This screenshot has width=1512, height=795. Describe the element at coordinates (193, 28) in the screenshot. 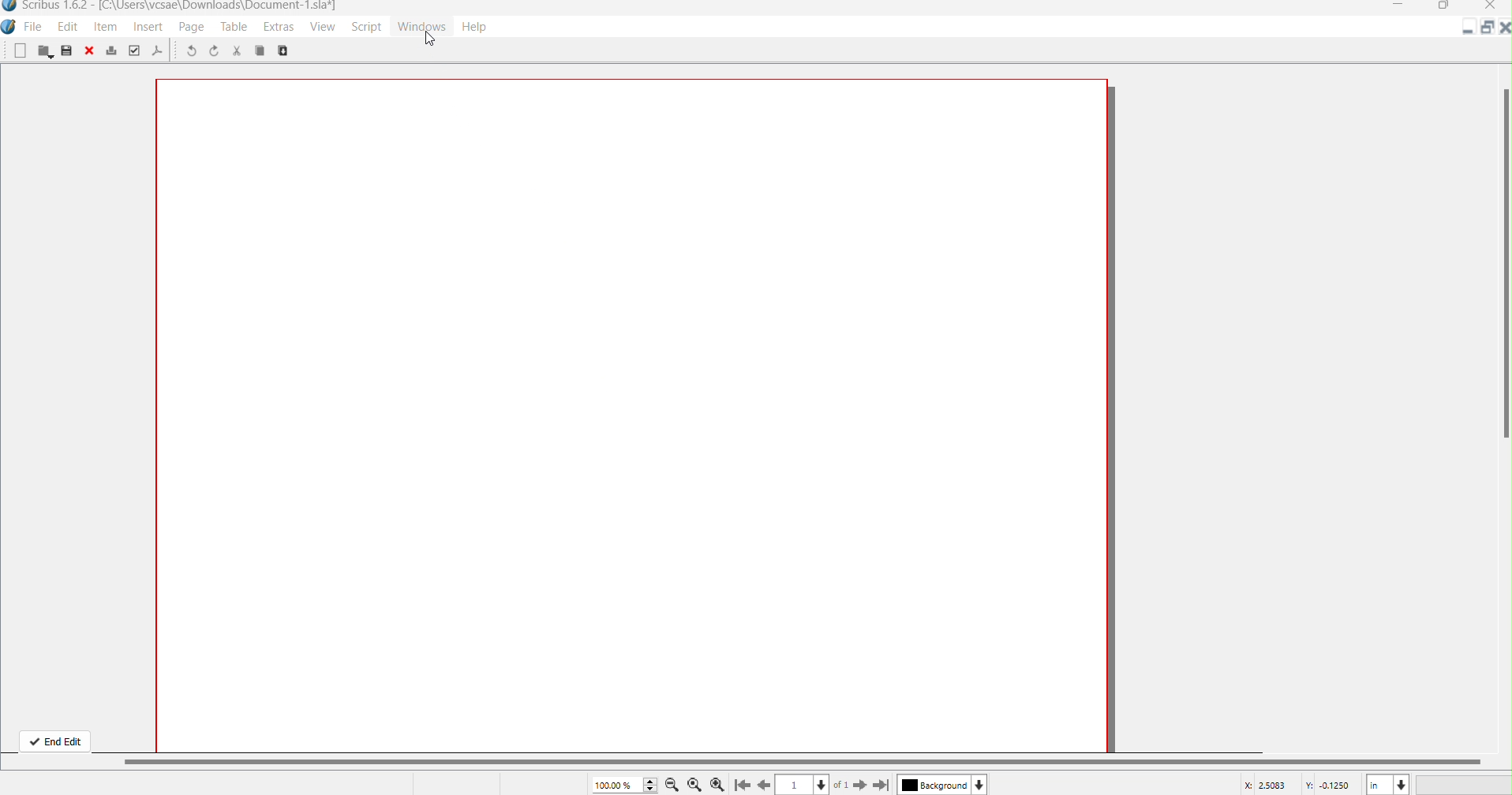

I see `` at that location.